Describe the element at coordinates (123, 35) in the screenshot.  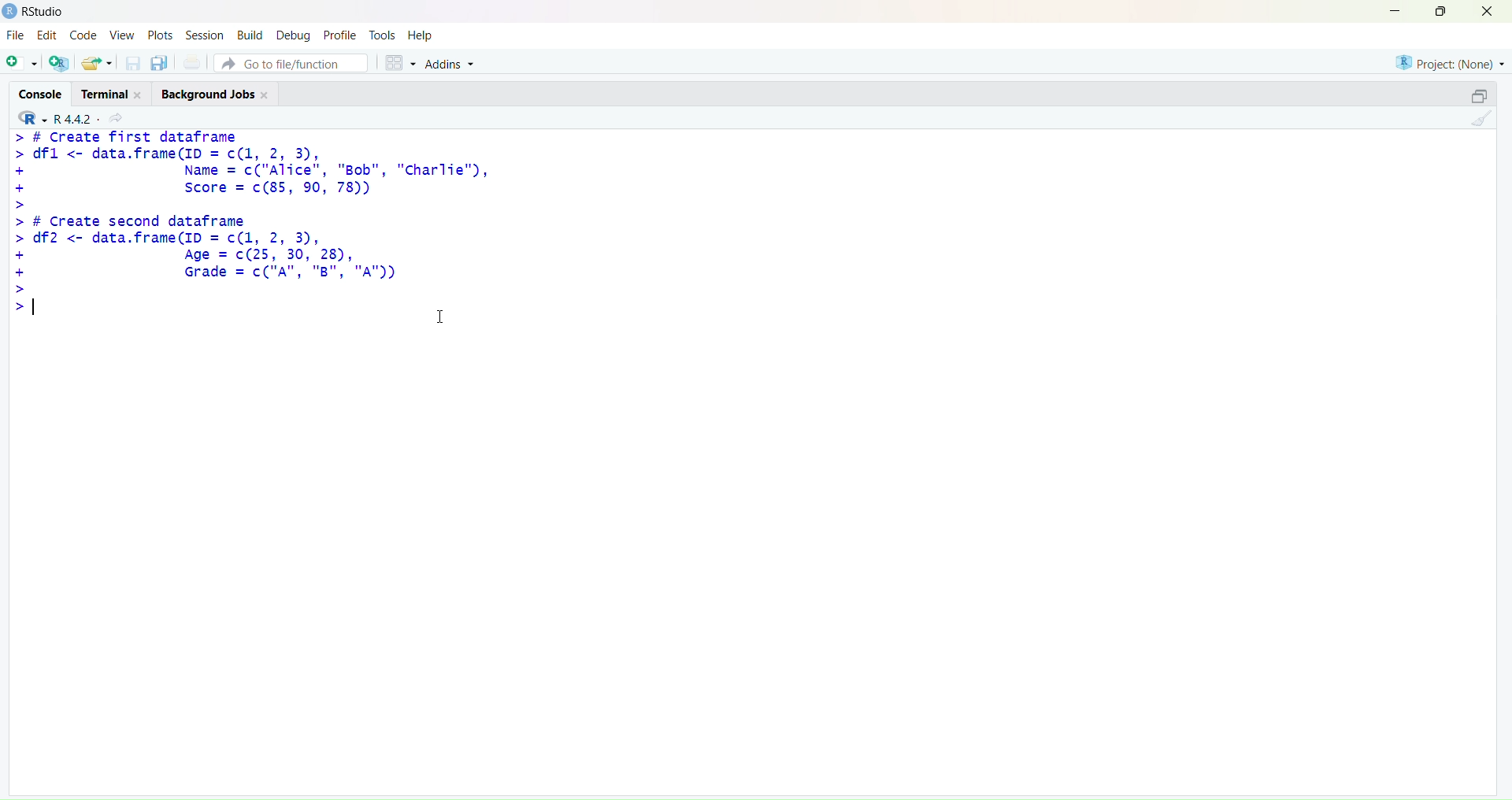
I see `View` at that location.